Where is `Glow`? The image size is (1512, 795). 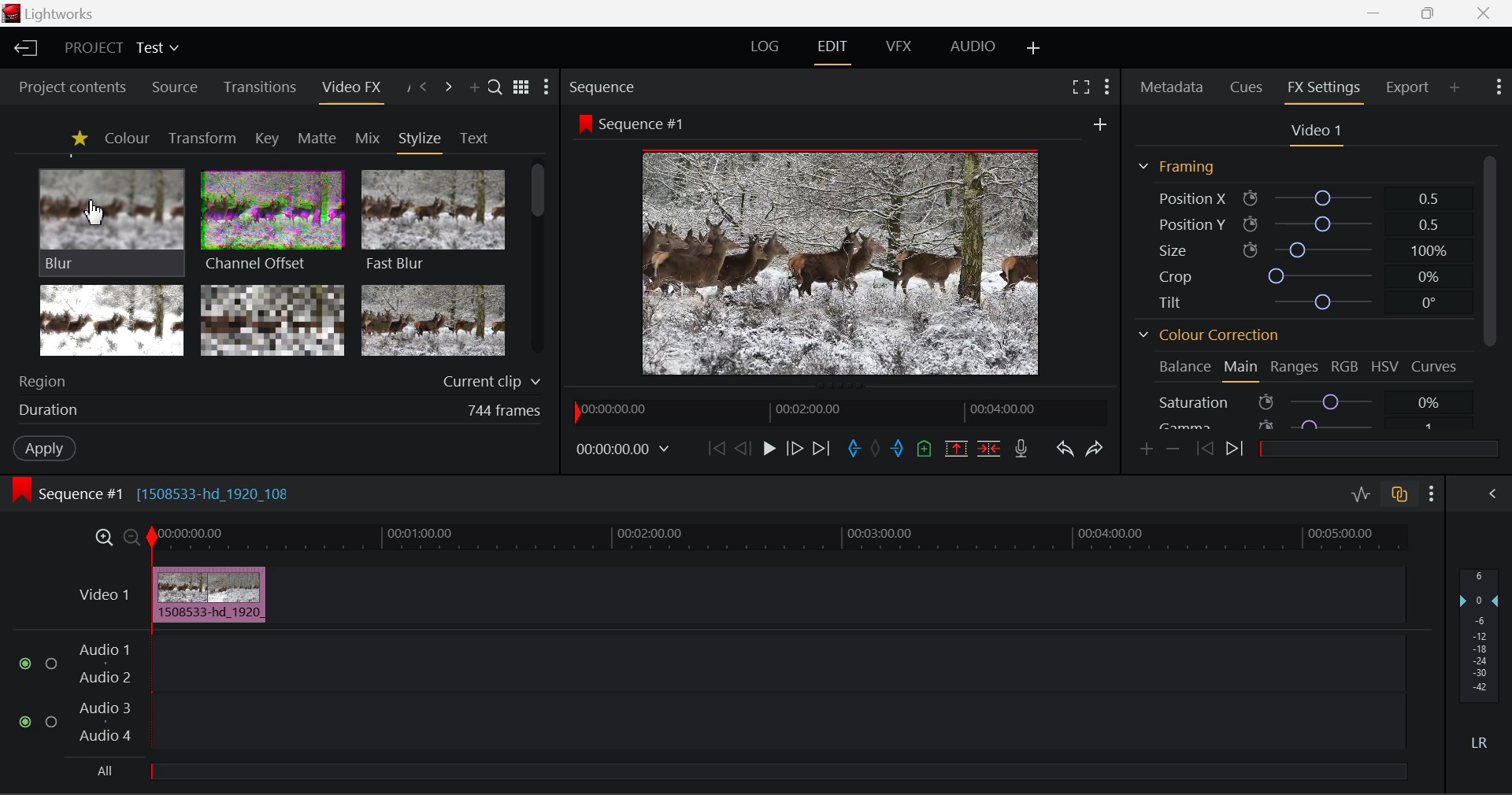 Glow is located at coordinates (113, 321).